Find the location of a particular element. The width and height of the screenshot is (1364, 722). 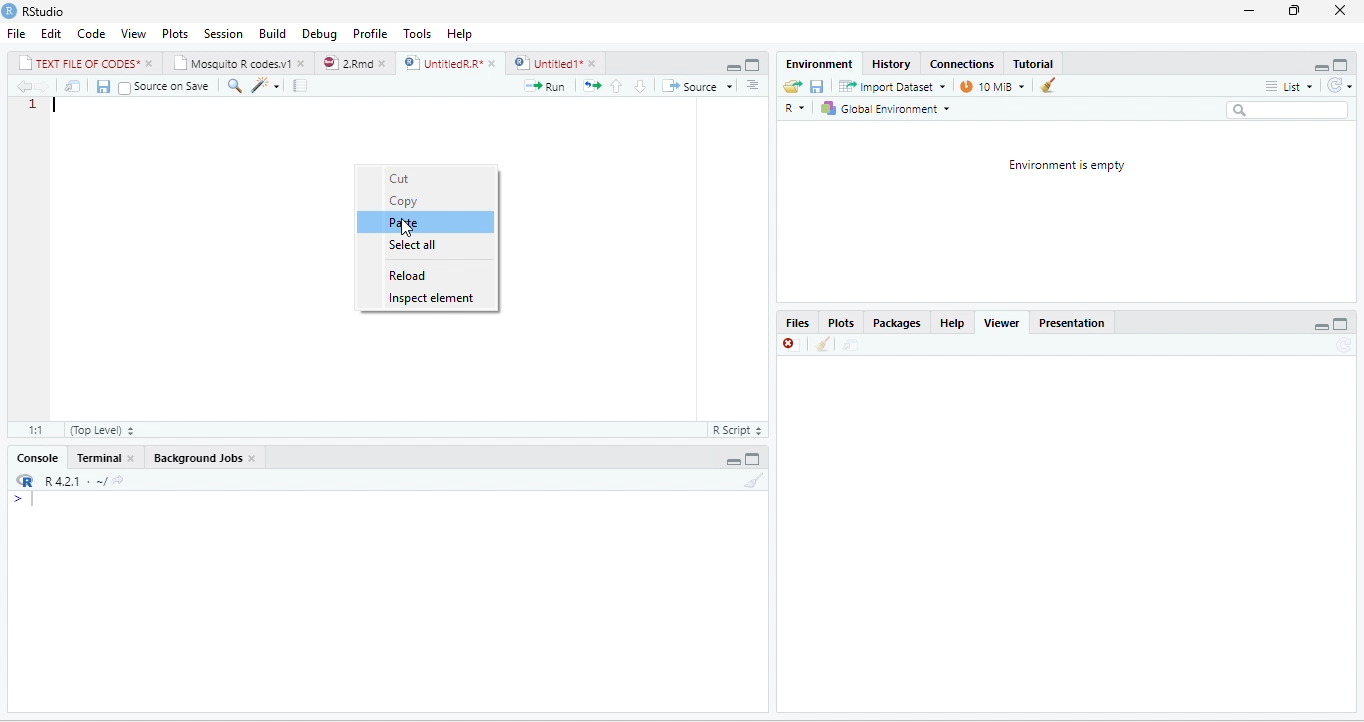

History is located at coordinates (891, 63).